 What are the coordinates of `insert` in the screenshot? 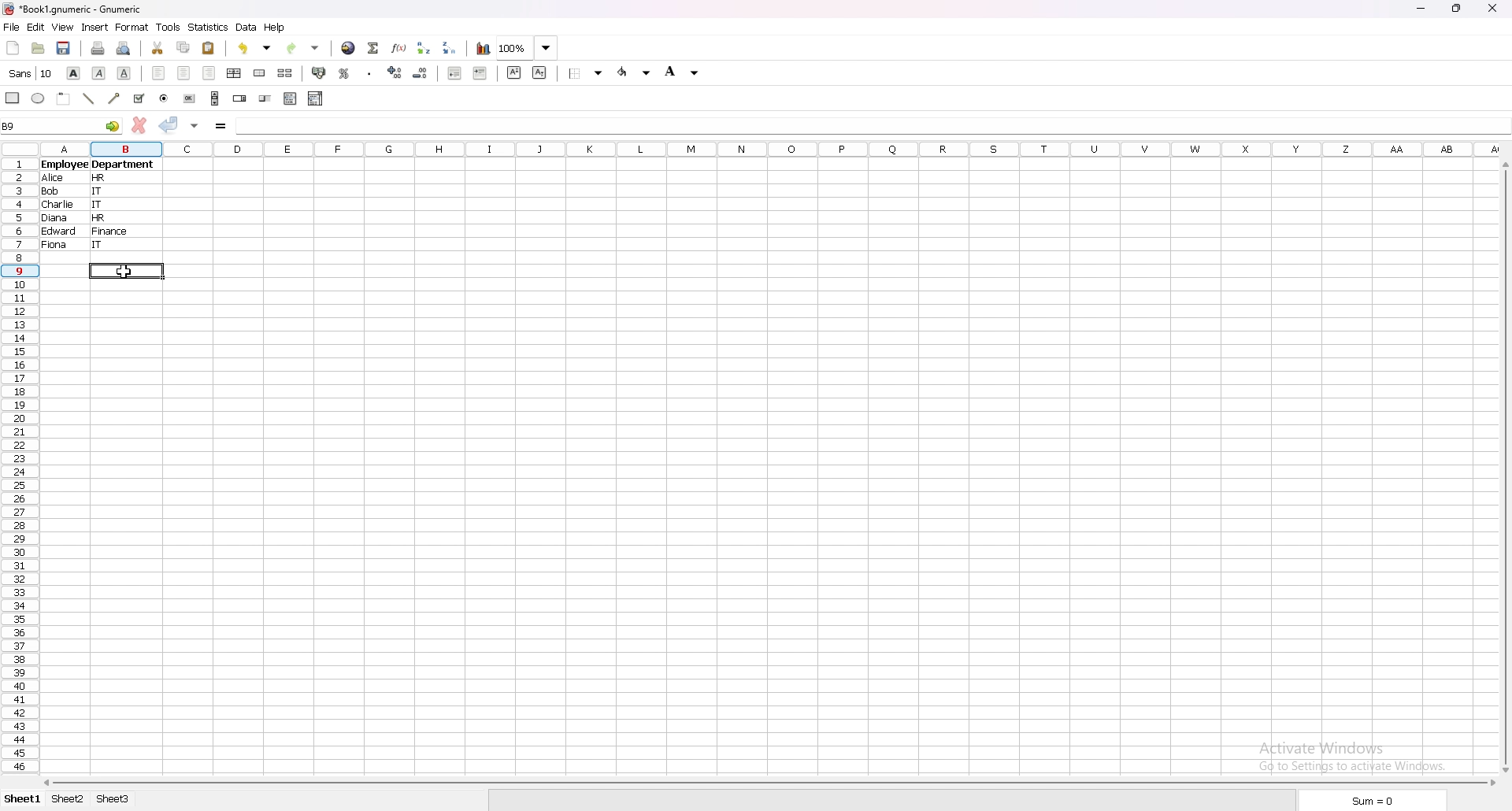 It's located at (95, 28).